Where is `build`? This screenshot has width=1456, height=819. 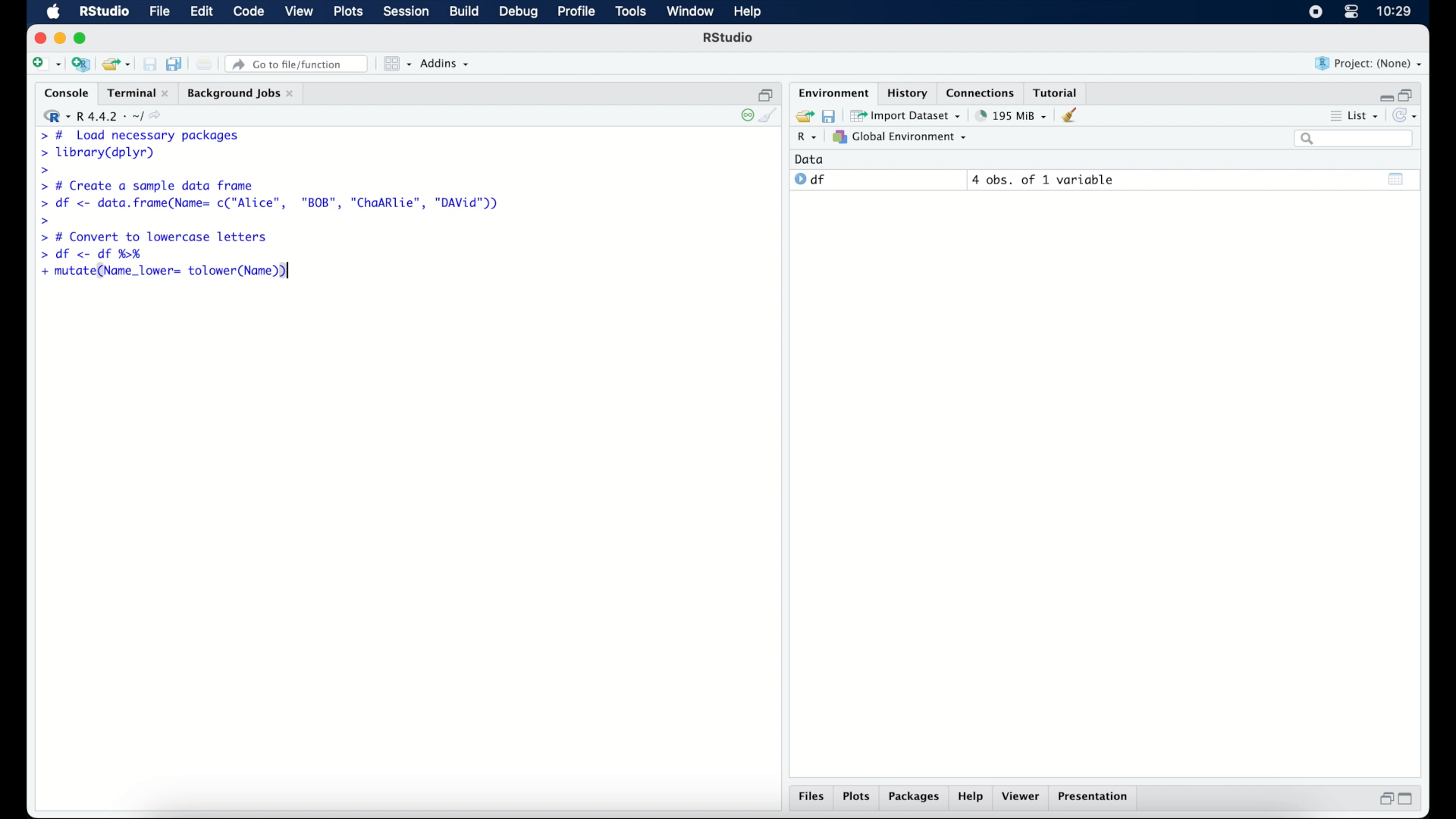 build is located at coordinates (463, 12).